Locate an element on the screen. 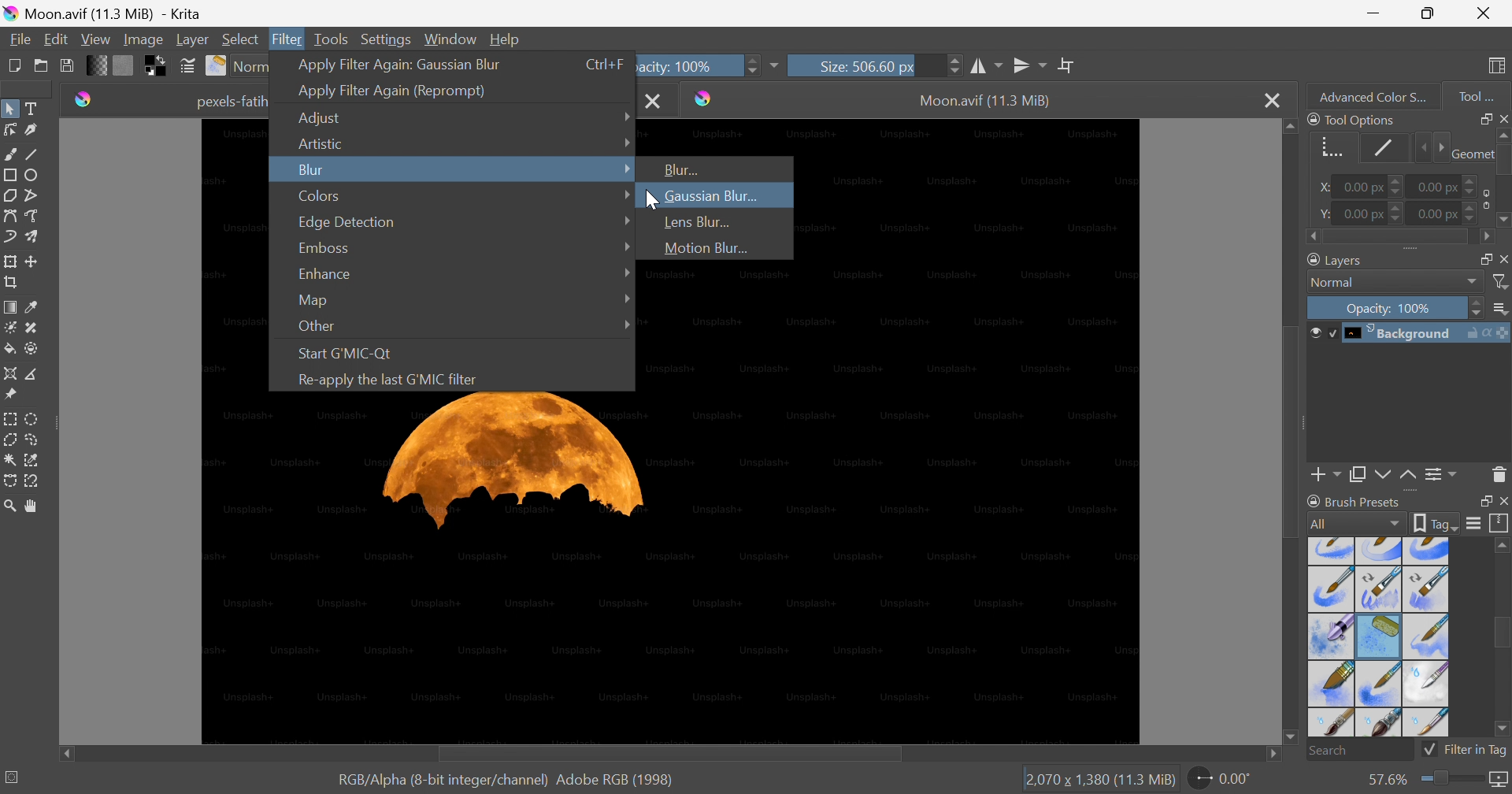 The height and width of the screenshot is (794, 1512). Scroll up is located at coordinates (1503, 134).